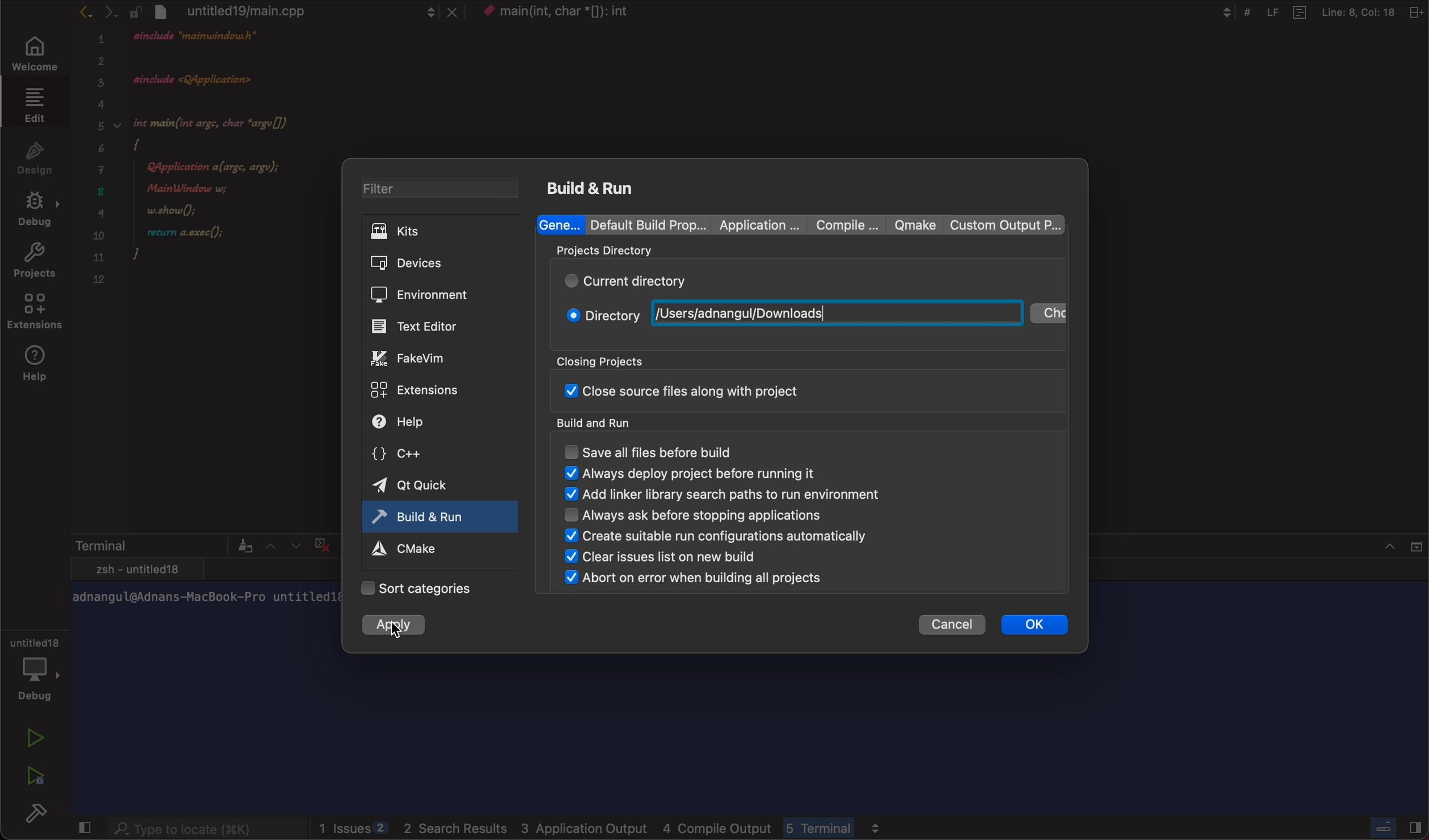 The image size is (1429, 840). Describe the element at coordinates (39, 668) in the screenshot. I see `debug` at that location.